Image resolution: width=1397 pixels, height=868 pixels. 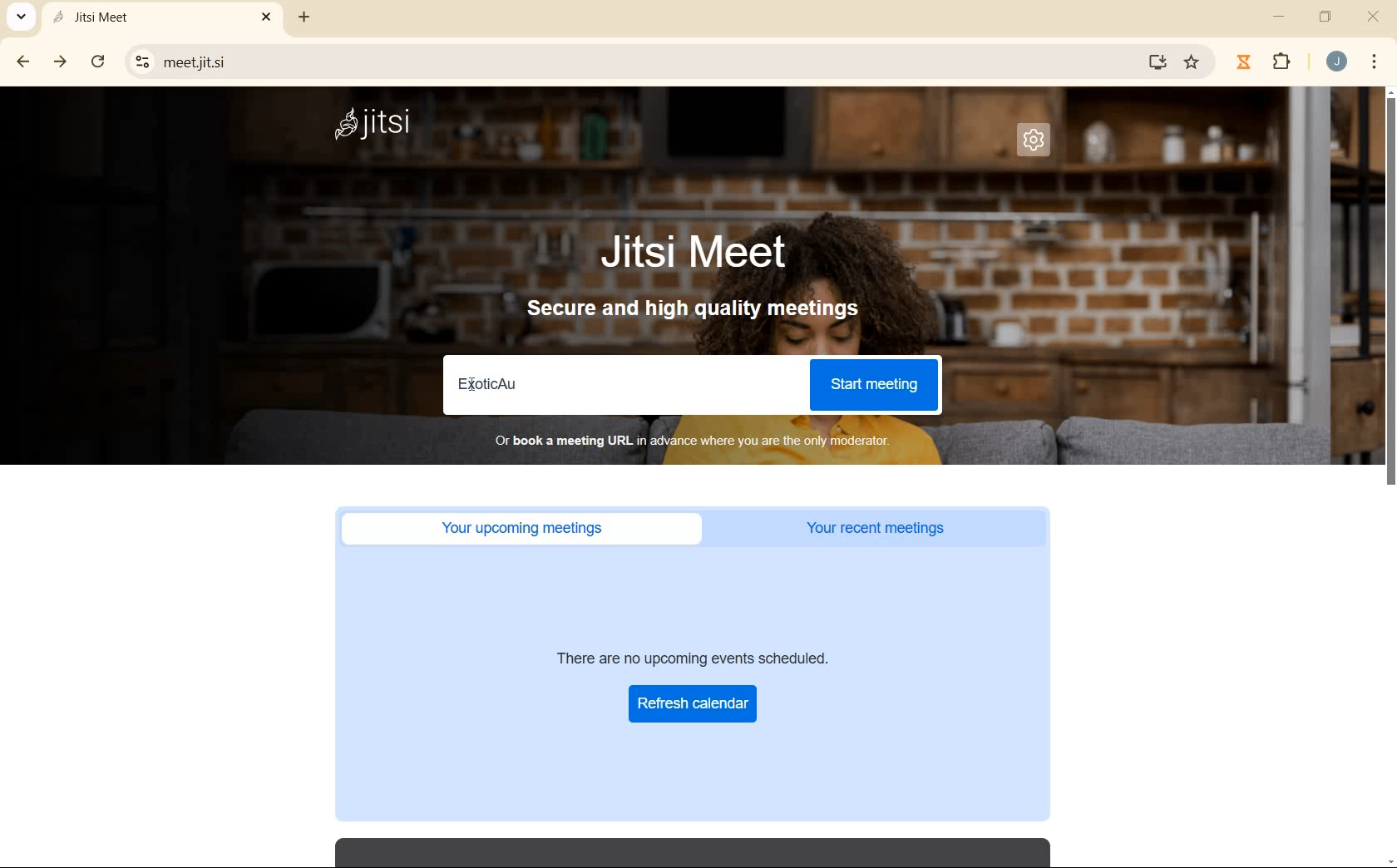 I want to click on extensions, so click(x=1282, y=62).